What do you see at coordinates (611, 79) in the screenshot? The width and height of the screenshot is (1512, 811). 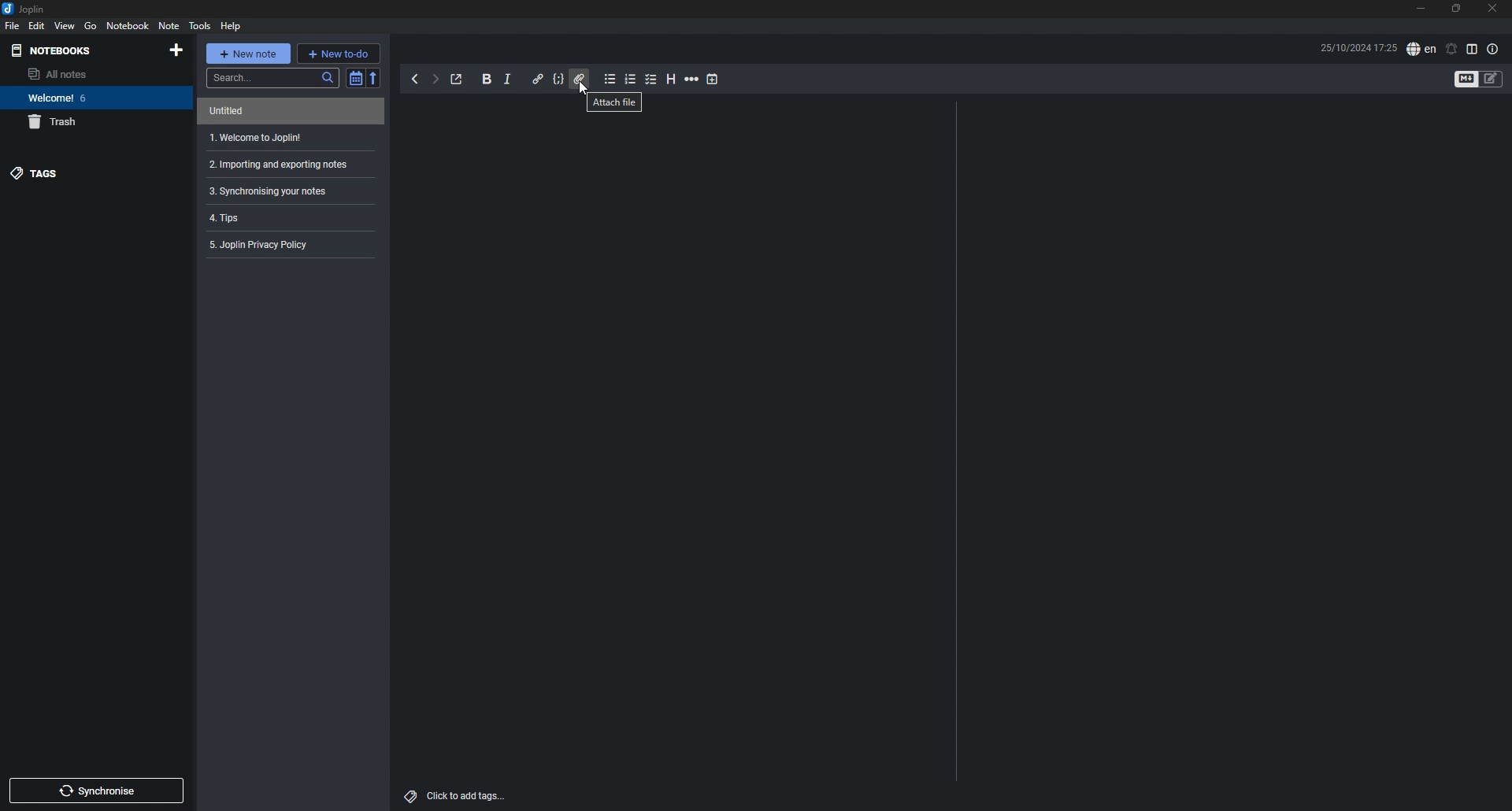 I see `bullet list` at bounding box center [611, 79].